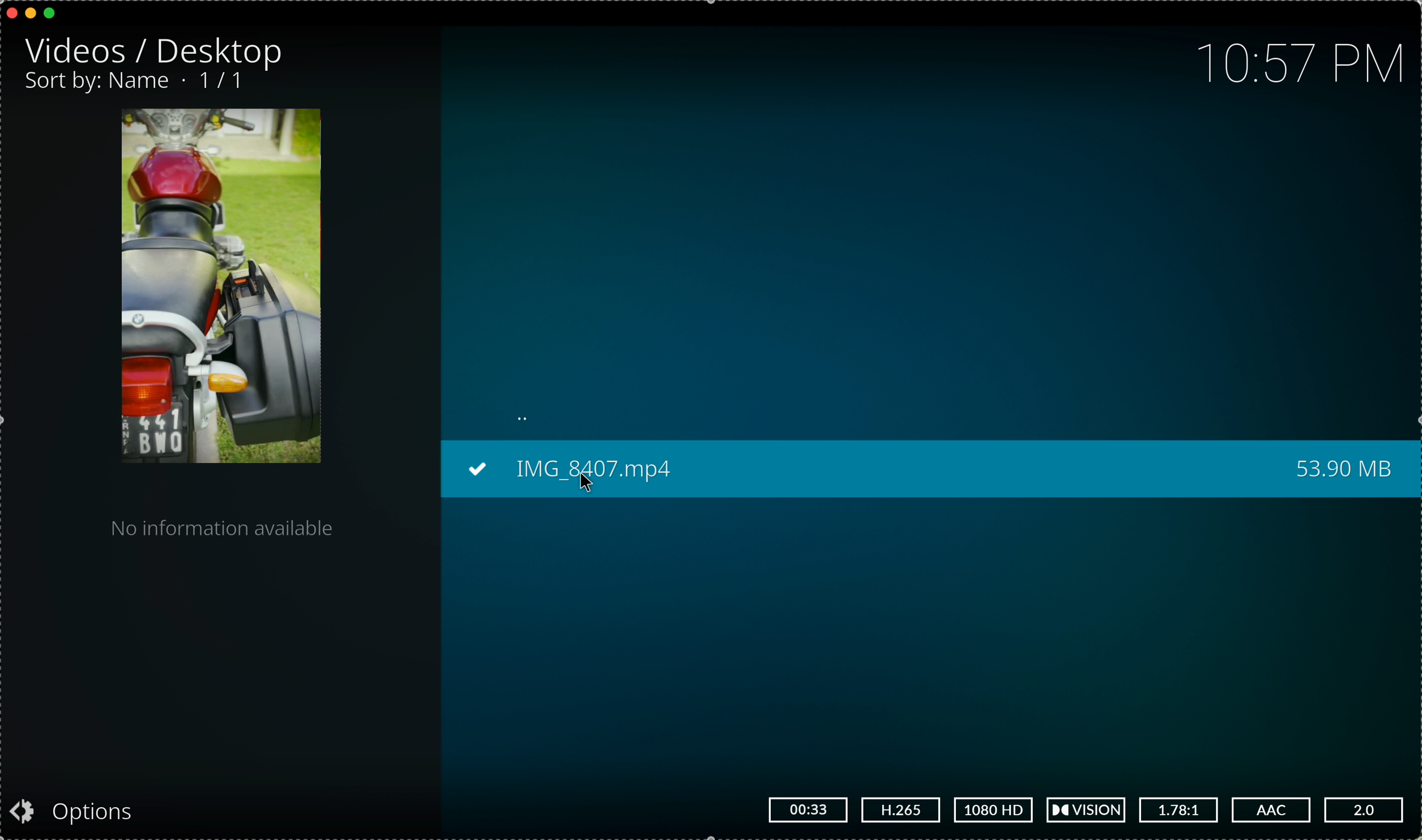 The height and width of the screenshot is (840, 1422). I want to click on video preview, so click(223, 288).